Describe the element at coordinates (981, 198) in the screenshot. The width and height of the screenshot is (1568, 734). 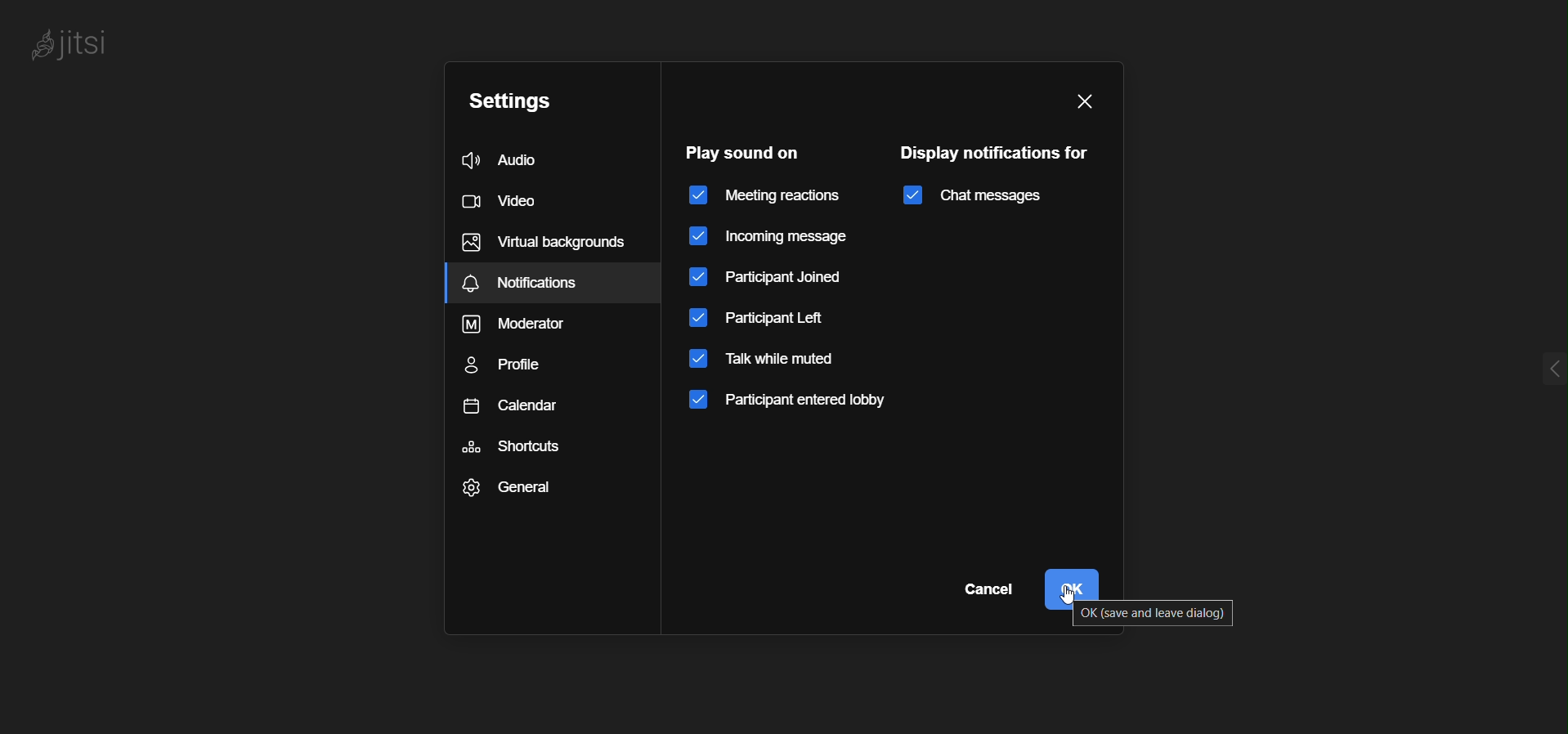
I see `enabled chat messages` at that location.